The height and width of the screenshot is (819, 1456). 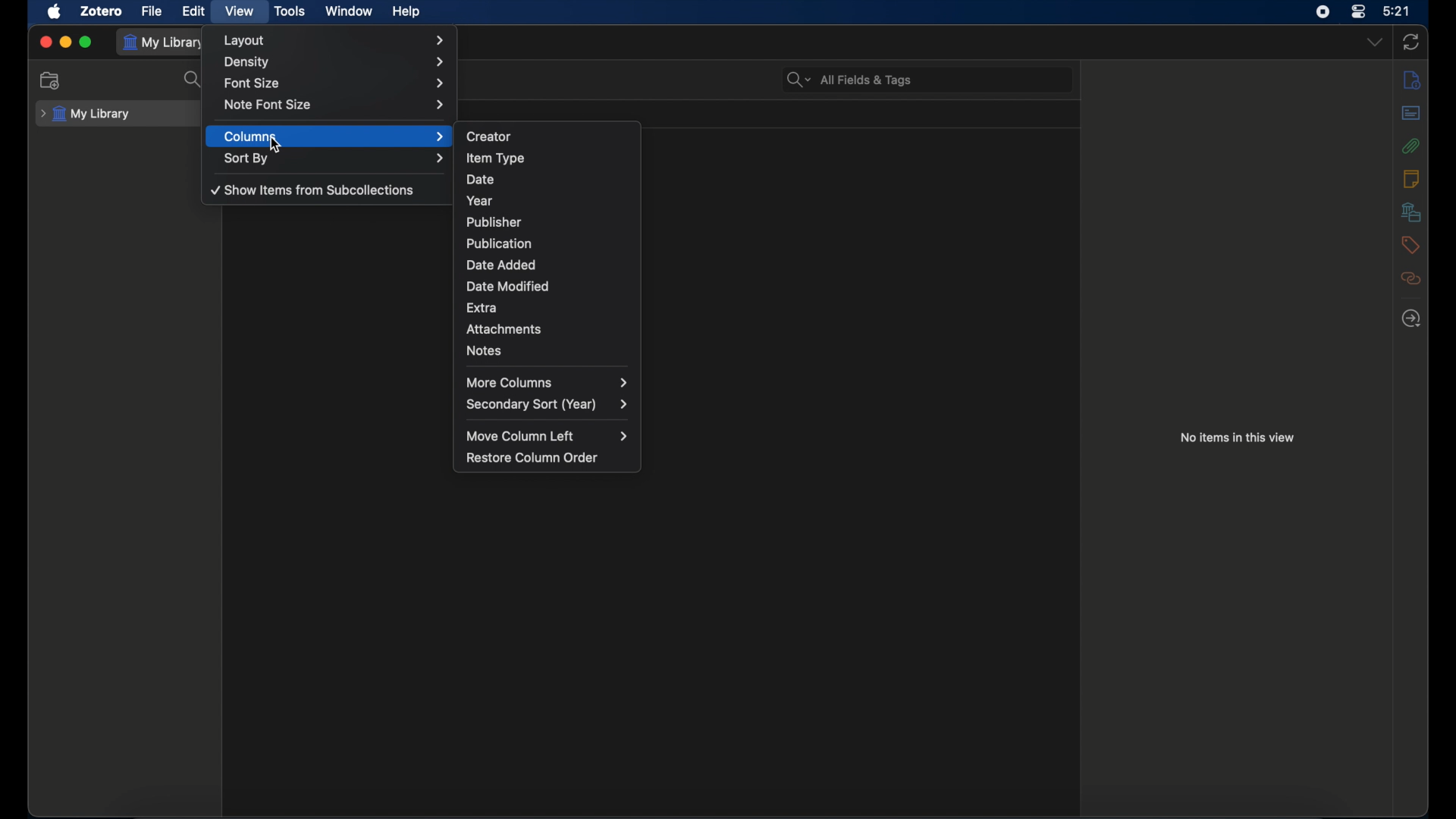 What do you see at coordinates (1411, 79) in the screenshot?
I see `info` at bounding box center [1411, 79].